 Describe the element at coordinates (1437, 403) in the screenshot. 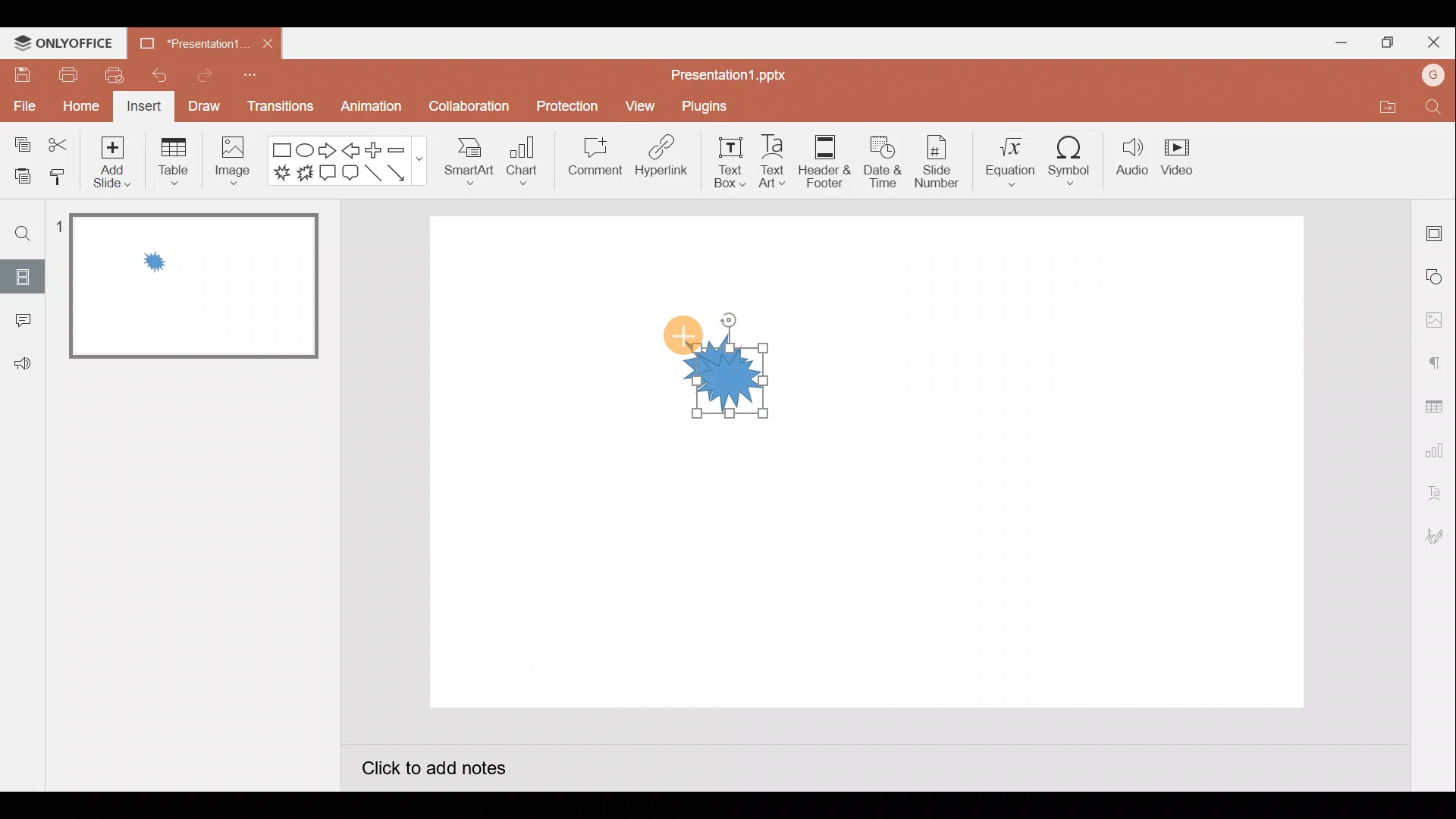

I see `Table settings` at that location.